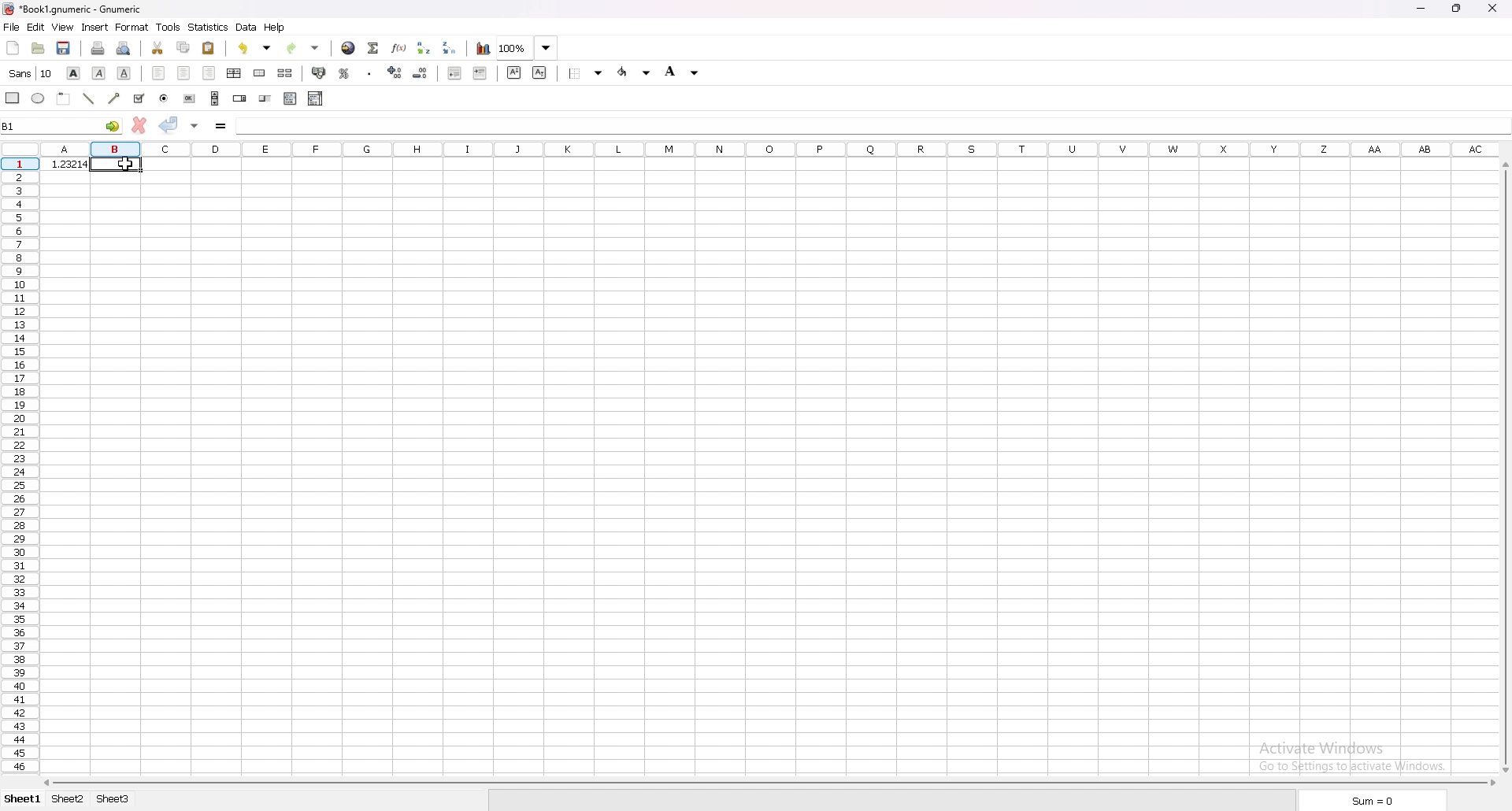 The height and width of the screenshot is (811, 1512). Describe the element at coordinates (276, 28) in the screenshot. I see `help` at that location.